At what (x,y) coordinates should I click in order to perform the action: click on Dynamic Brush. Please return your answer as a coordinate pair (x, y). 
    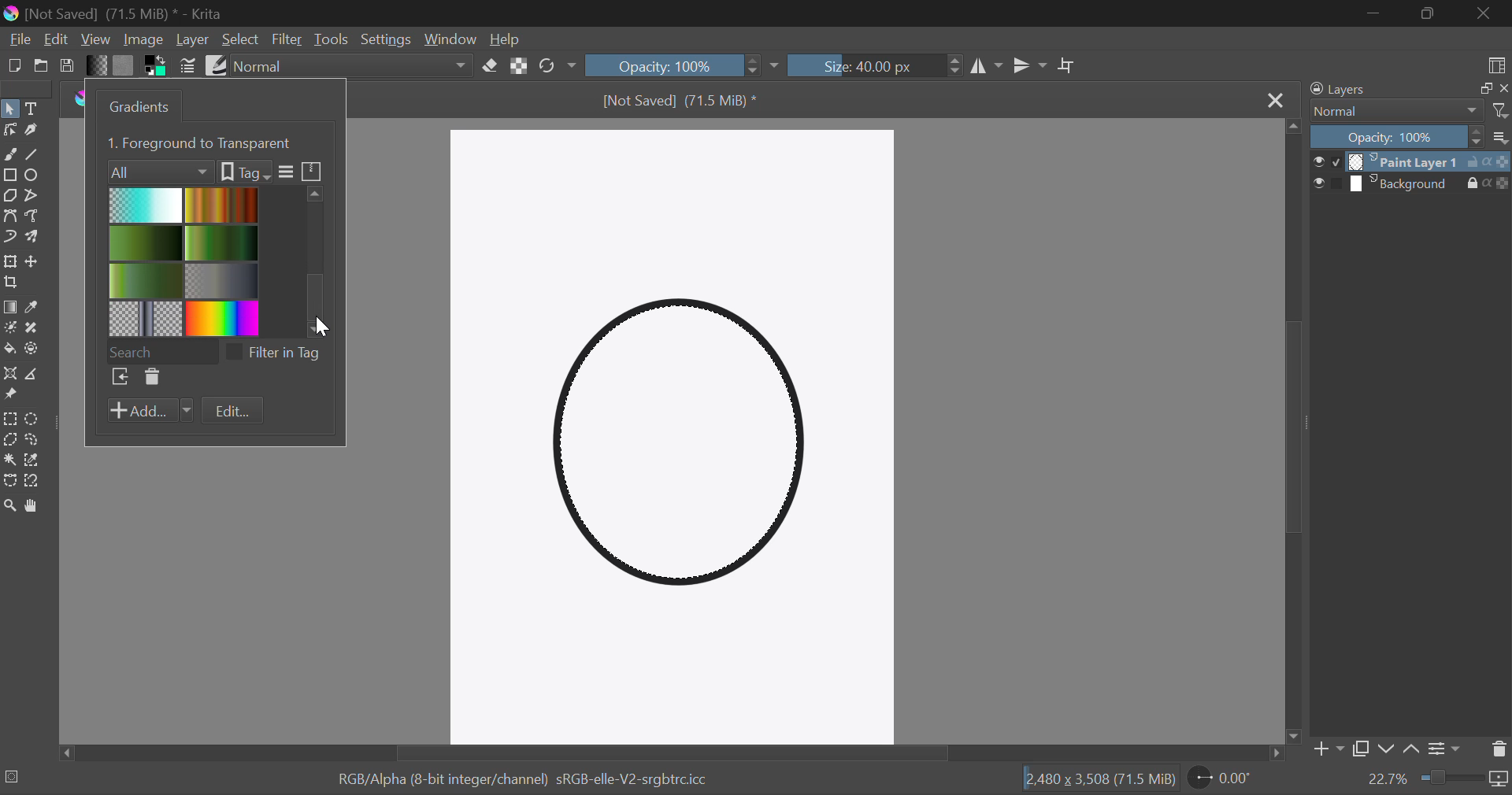
    Looking at the image, I should click on (10, 238).